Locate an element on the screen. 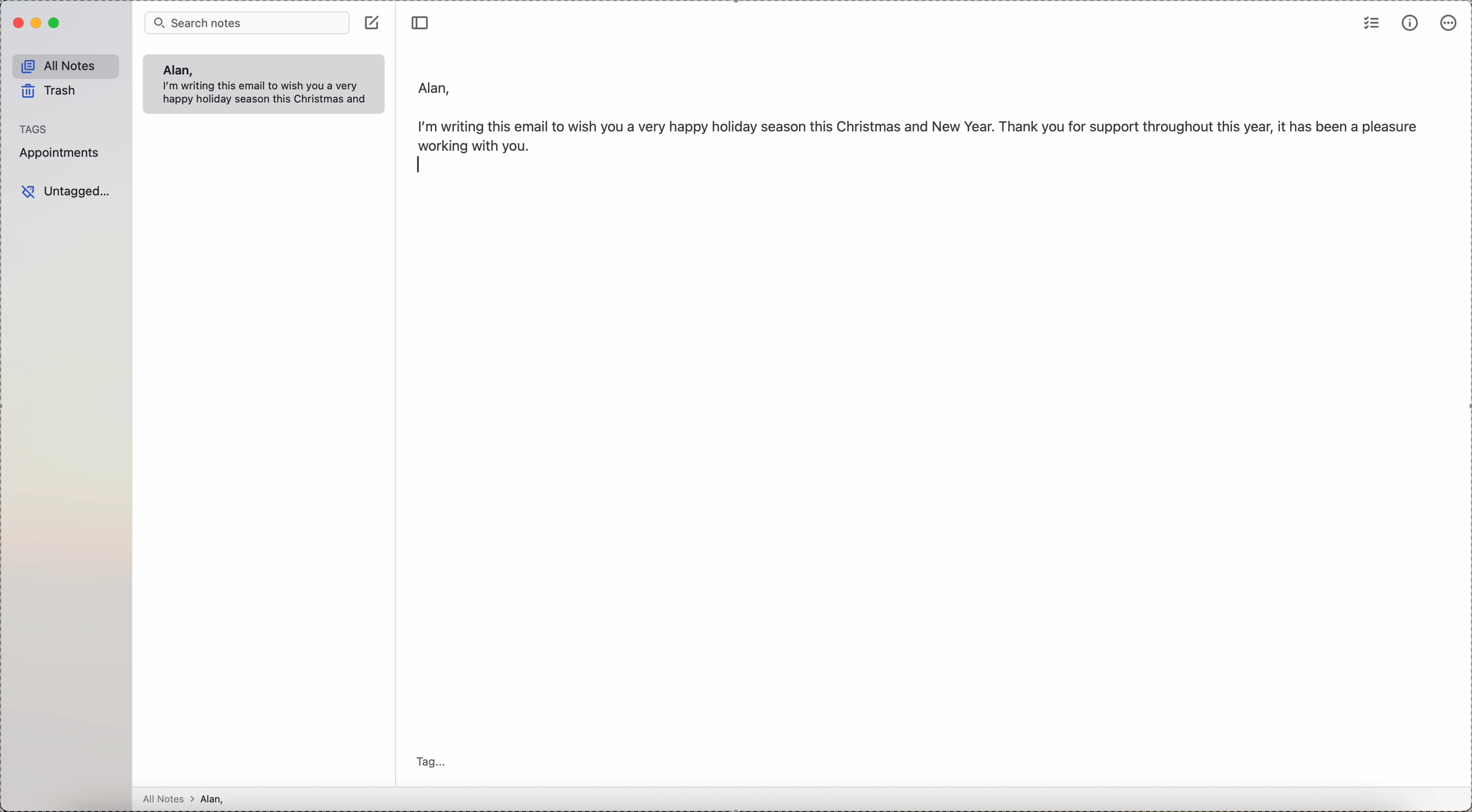  untagged is located at coordinates (66, 192).